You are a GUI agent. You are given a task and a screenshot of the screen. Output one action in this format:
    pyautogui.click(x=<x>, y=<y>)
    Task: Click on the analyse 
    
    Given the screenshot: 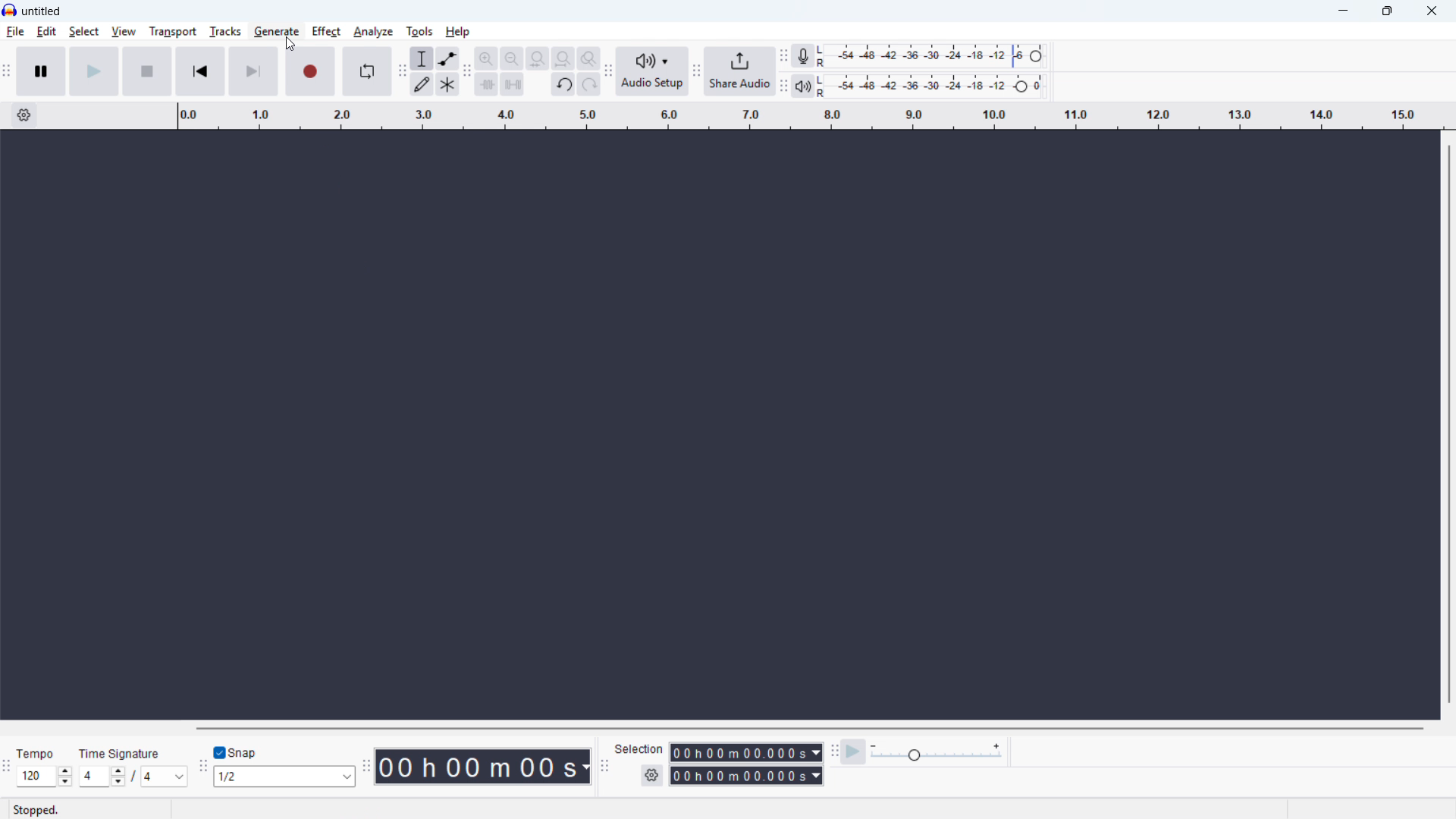 What is the action you would take?
    pyautogui.click(x=372, y=33)
    